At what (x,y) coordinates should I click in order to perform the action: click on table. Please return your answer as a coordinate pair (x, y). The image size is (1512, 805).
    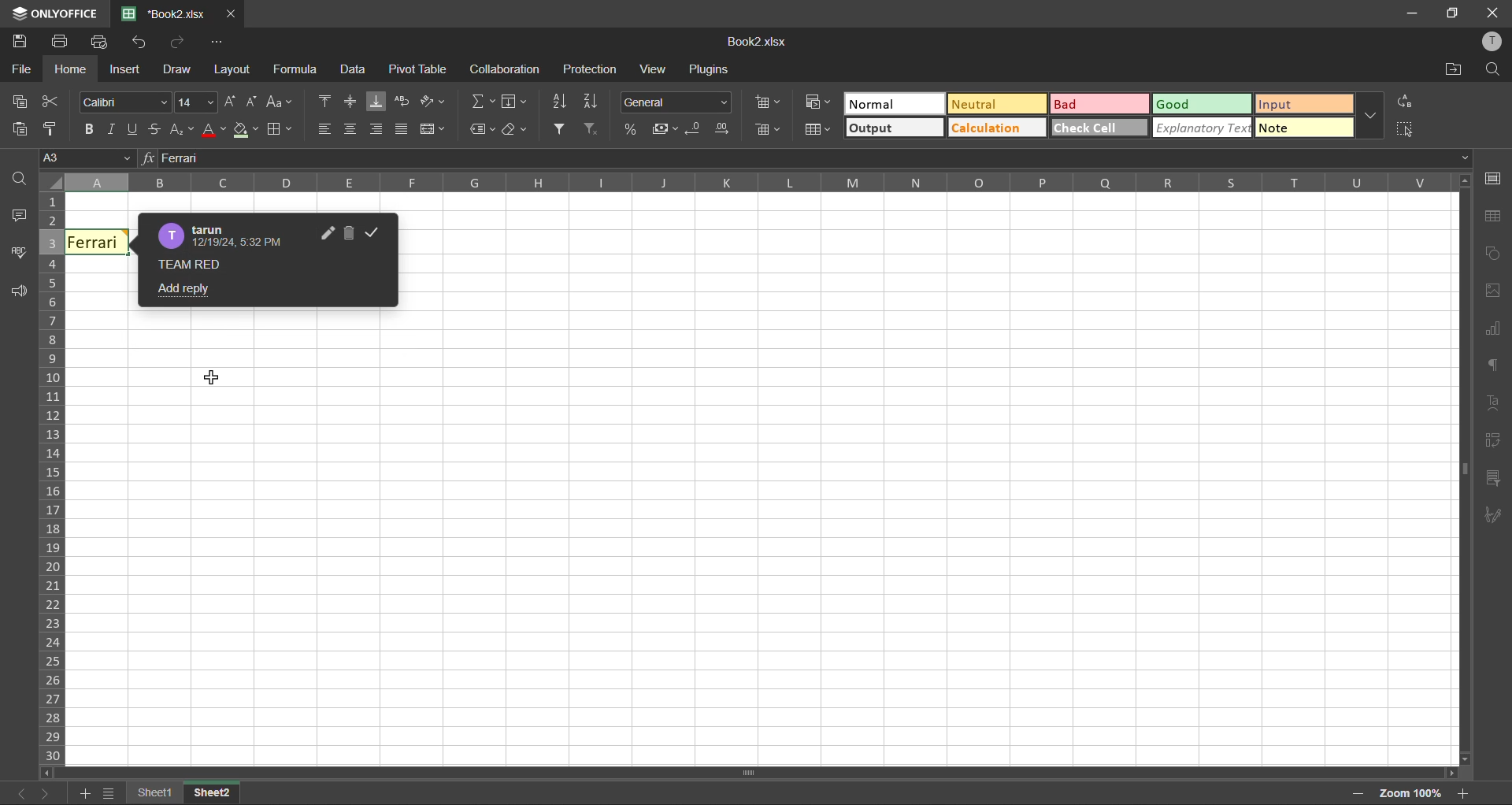
    Looking at the image, I should click on (1495, 221).